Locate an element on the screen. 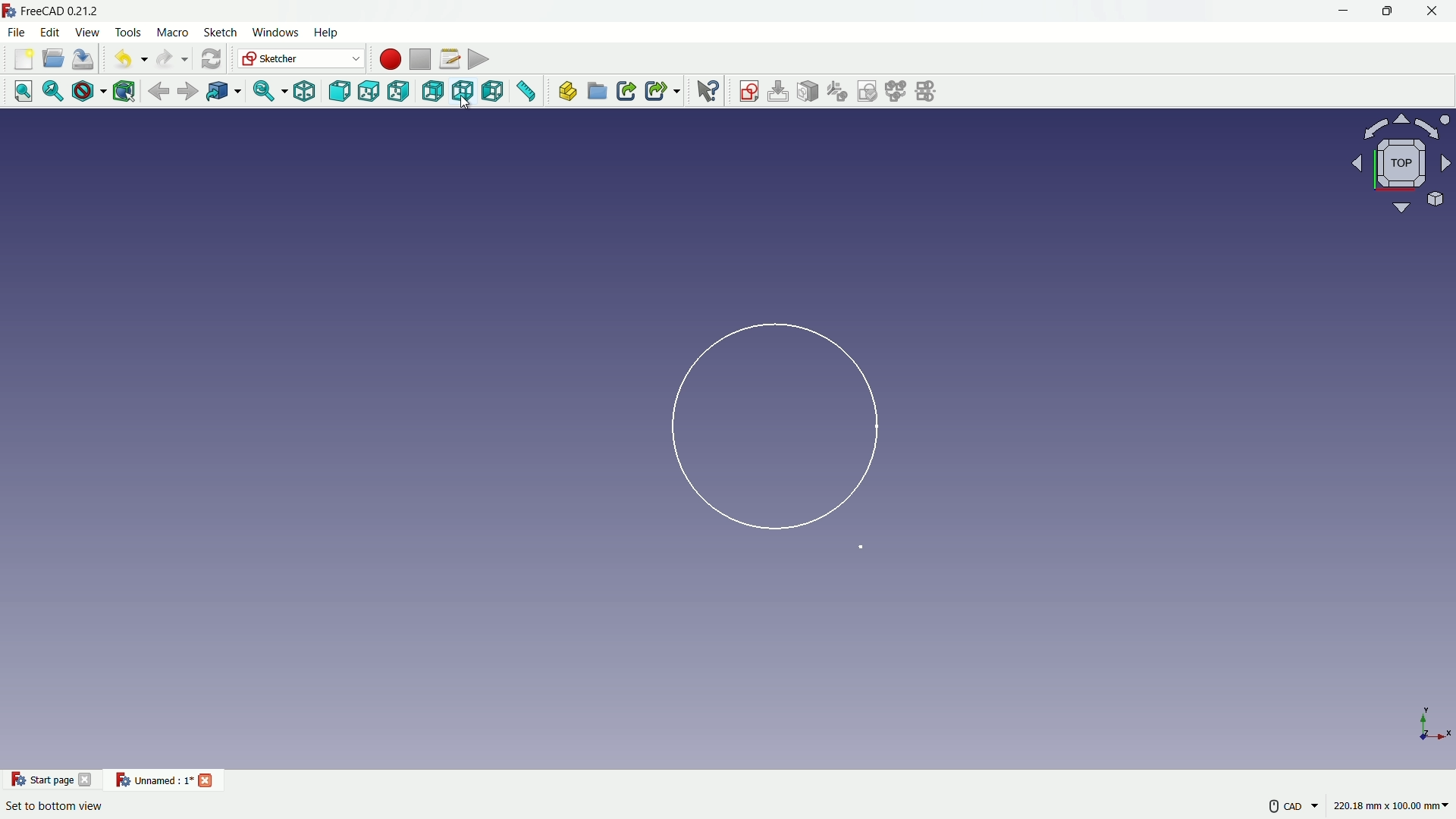 Image resolution: width=1456 pixels, height=819 pixels. sync view is located at coordinates (267, 92).